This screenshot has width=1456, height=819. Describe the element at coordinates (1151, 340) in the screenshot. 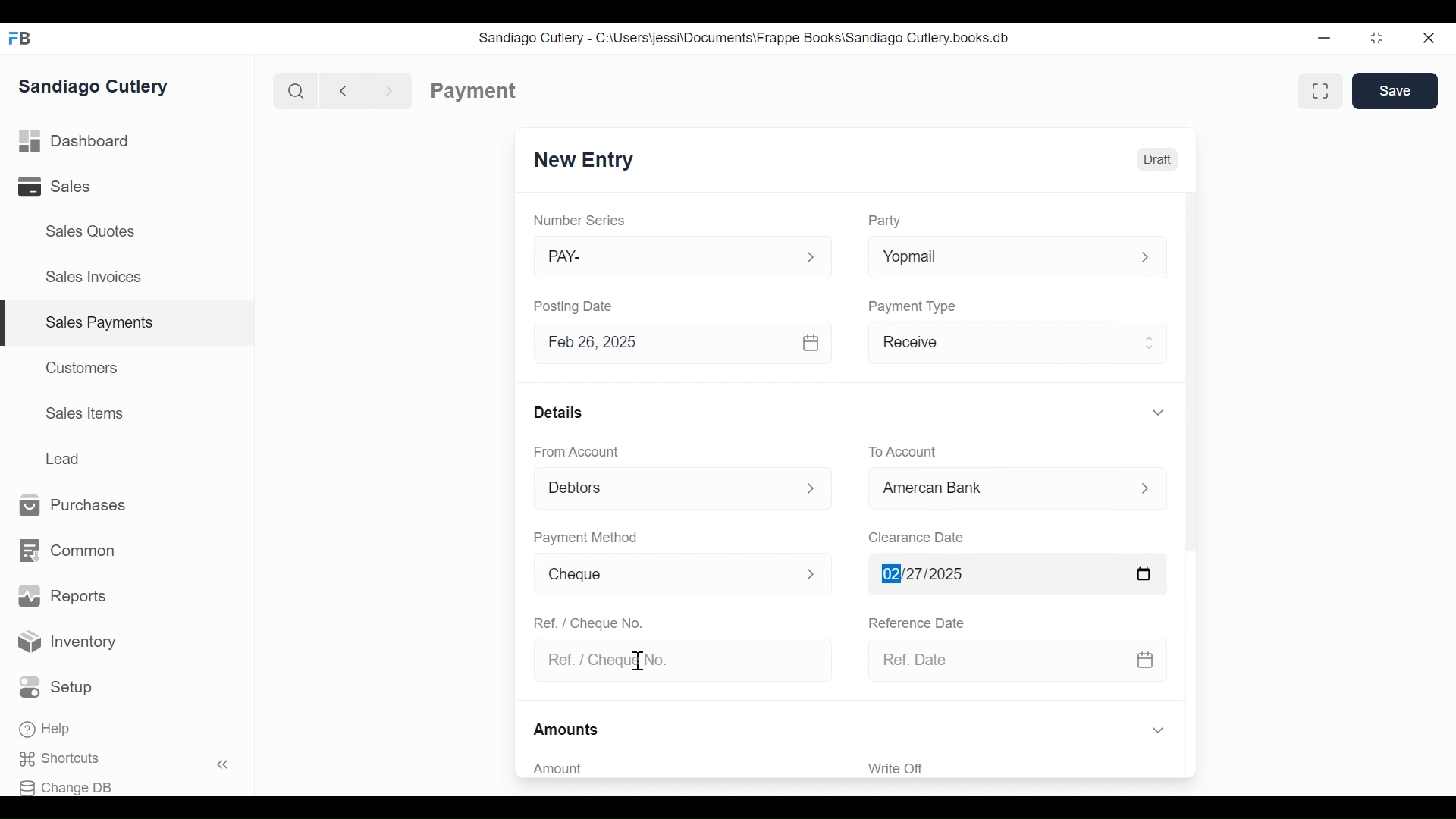

I see `Expand` at that location.